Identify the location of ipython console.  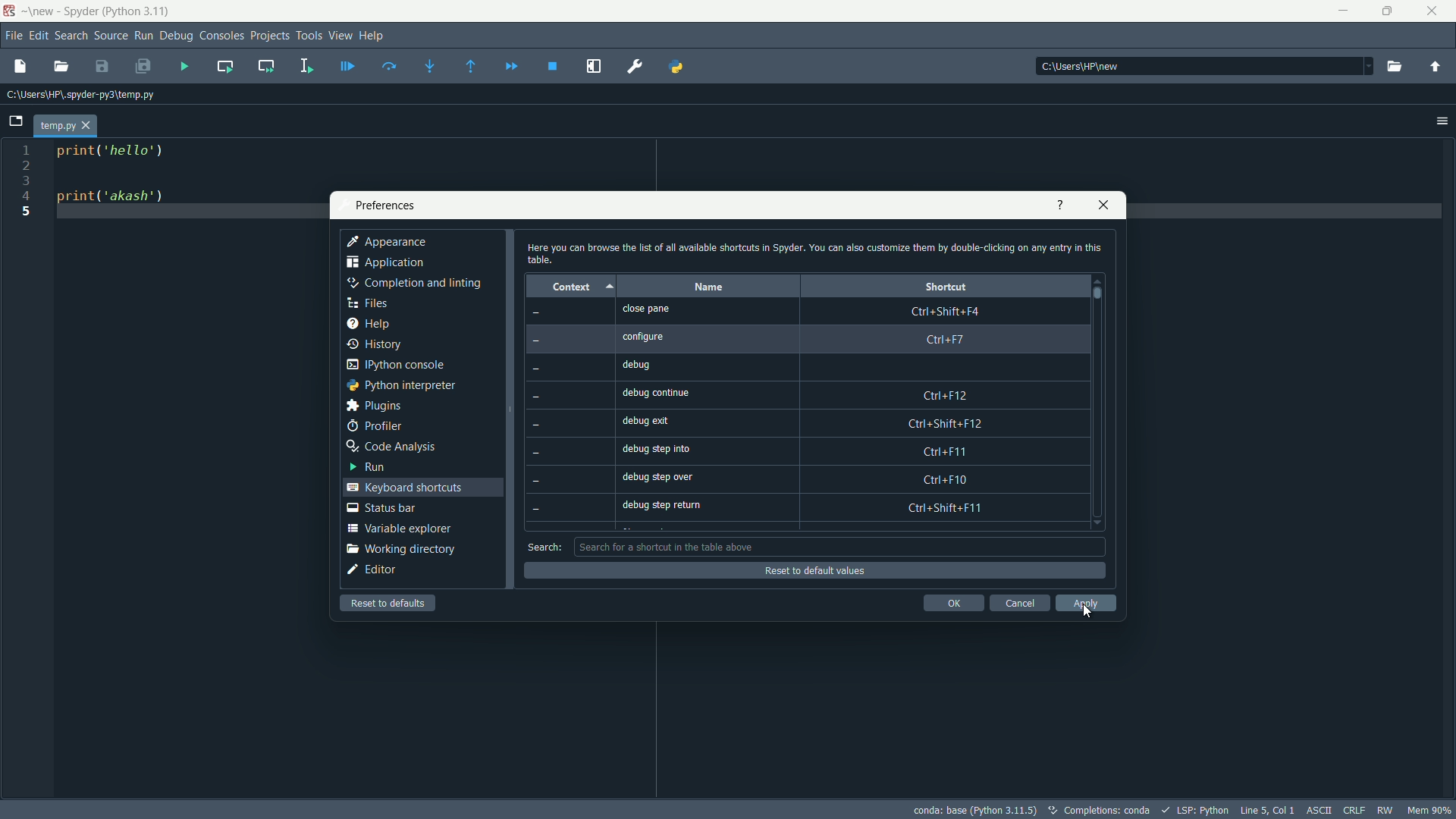
(395, 365).